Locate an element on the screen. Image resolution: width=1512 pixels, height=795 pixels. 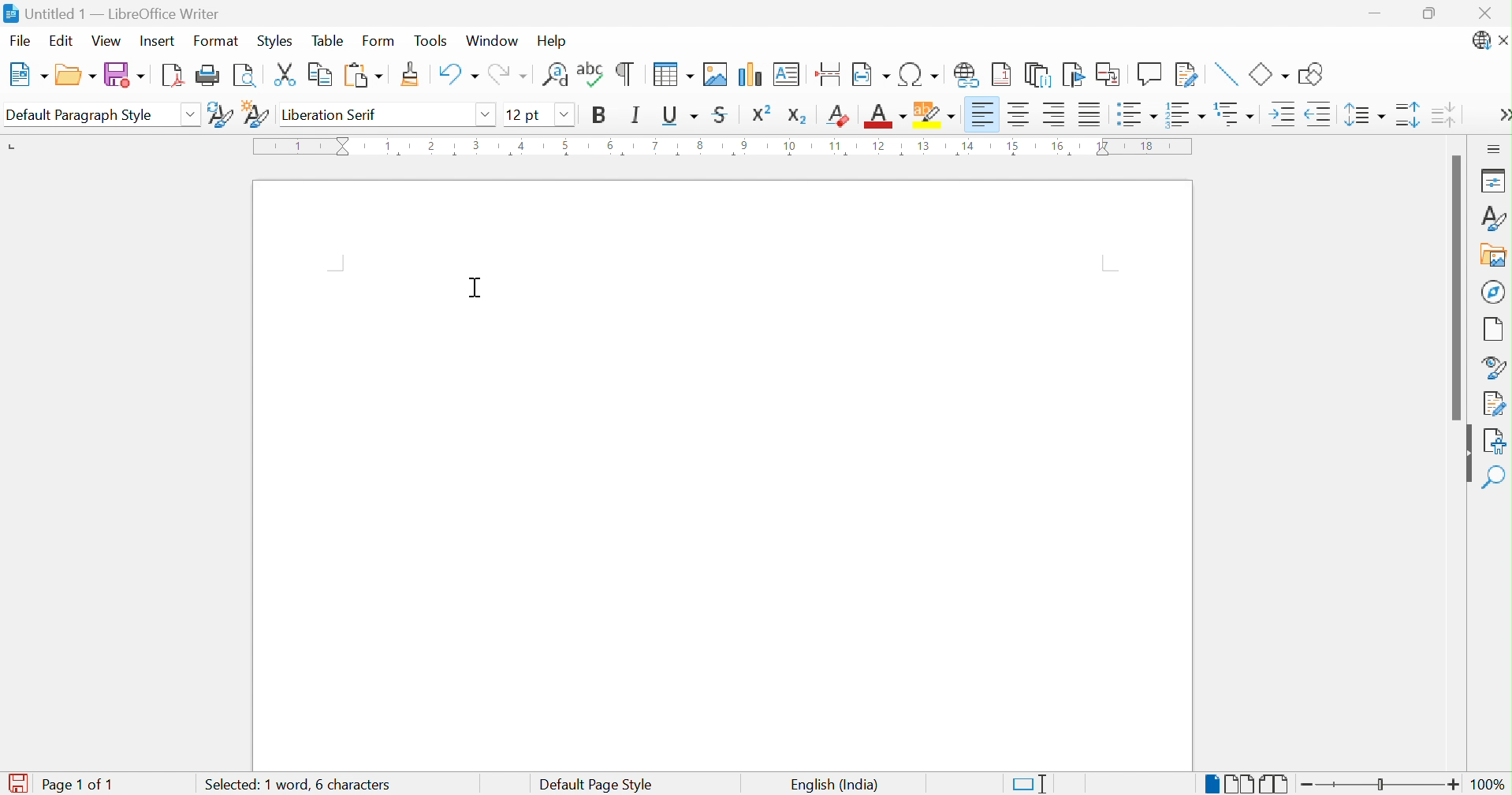
12 pt is located at coordinates (527, 114).